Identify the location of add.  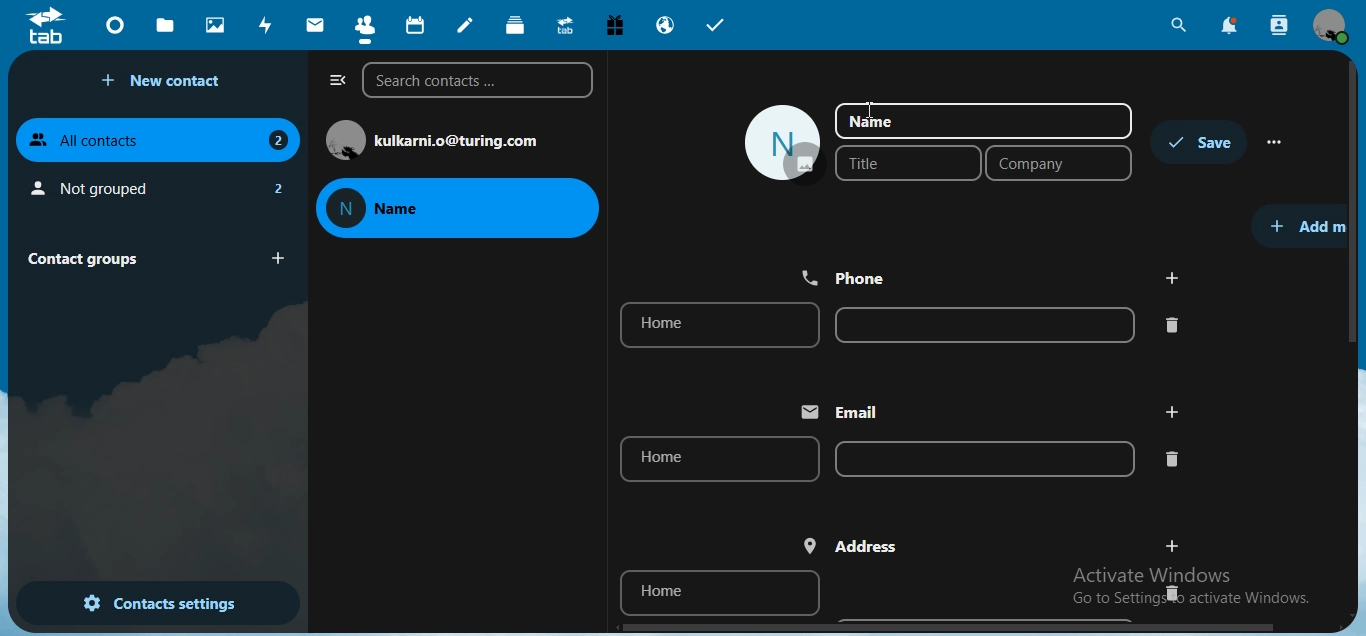
(1173, 544).